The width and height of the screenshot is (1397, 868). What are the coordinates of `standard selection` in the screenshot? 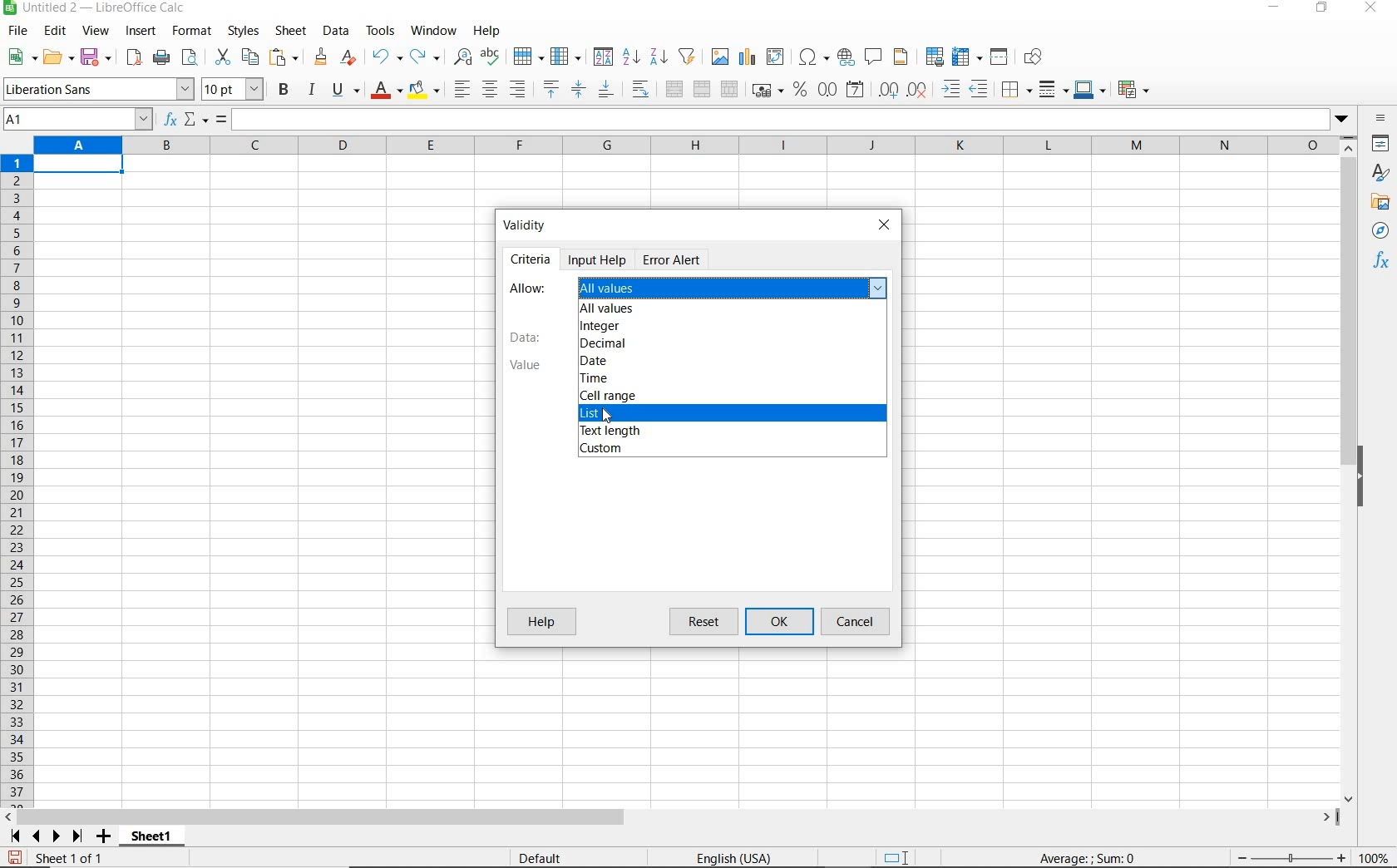 It's located at (897, 859).